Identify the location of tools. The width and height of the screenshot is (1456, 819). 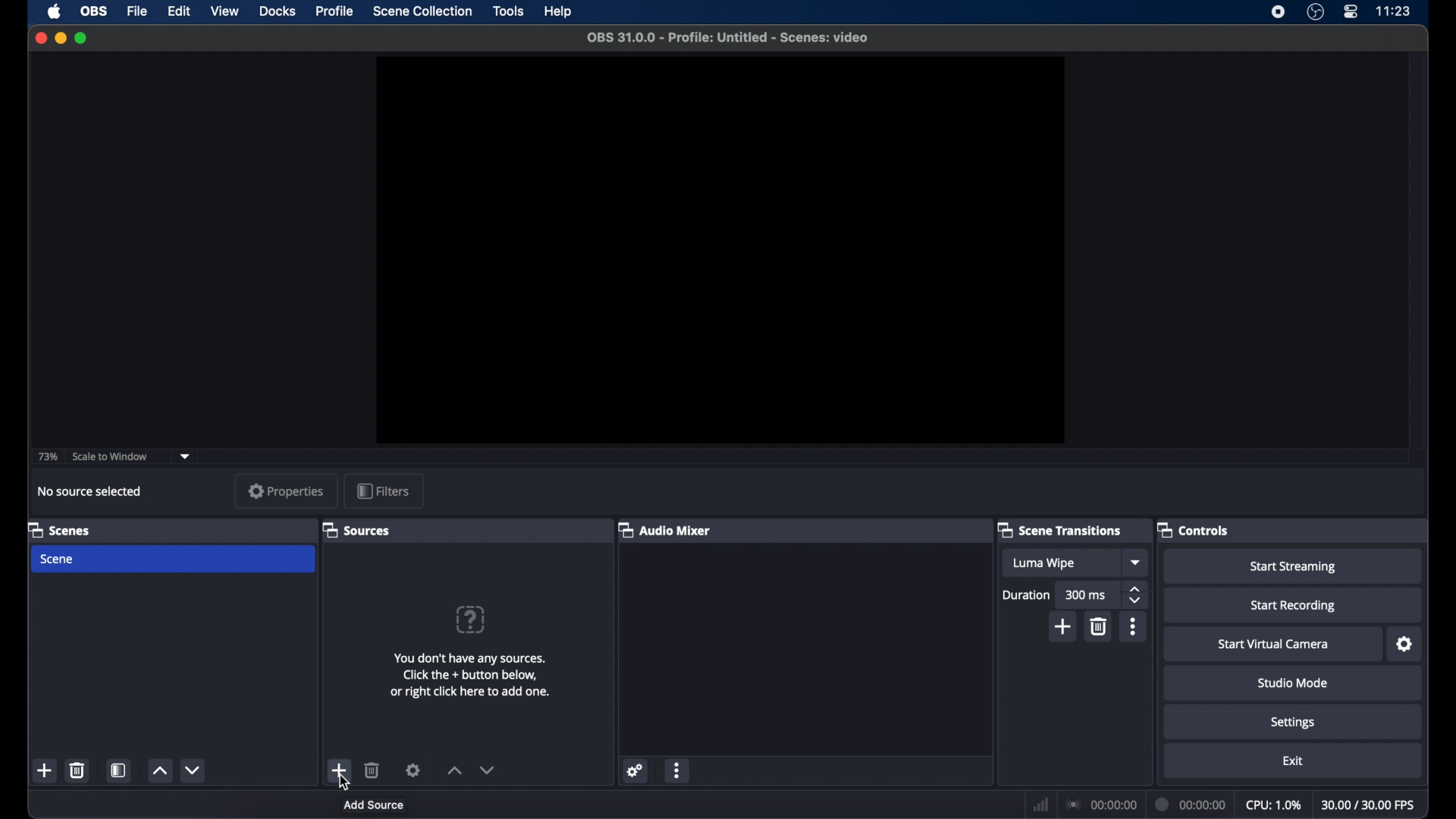
(508, 11).